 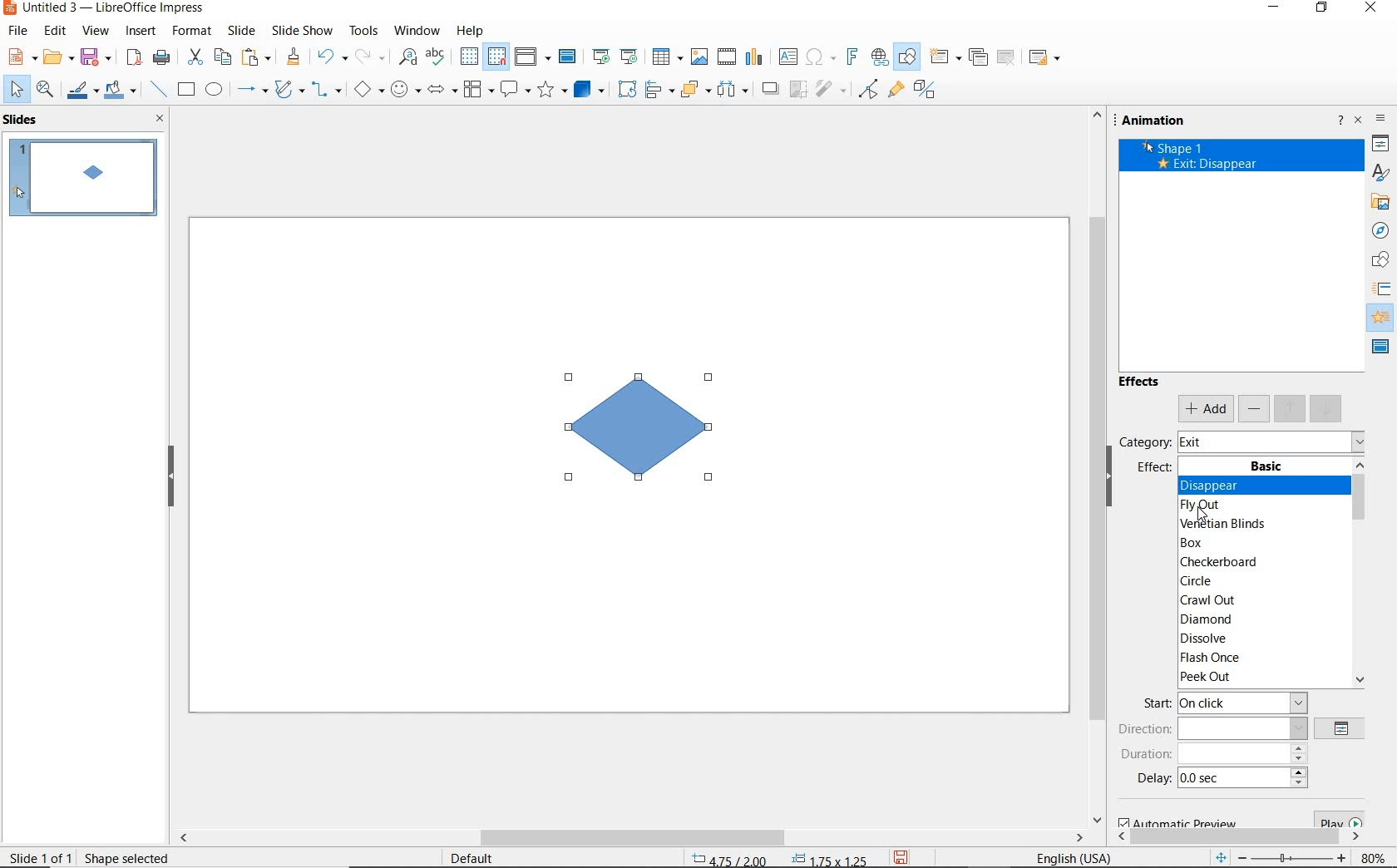 What do you see at coordinates (479, 89) in the screenshot?
I see `flowchart` at bounding box center [479, 89].